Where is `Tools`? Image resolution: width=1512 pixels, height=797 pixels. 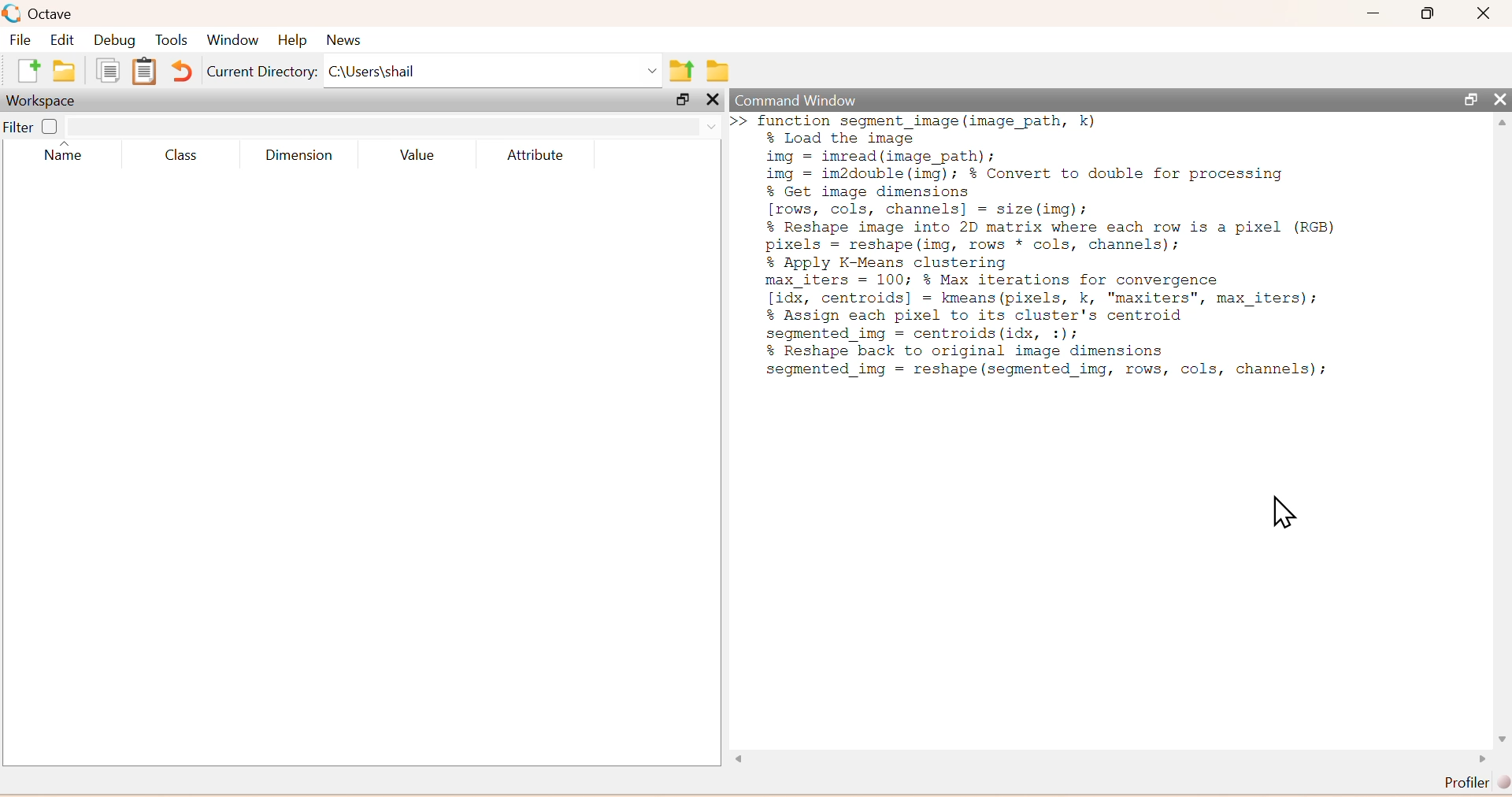 Tools is located at coordinates (172, 42).